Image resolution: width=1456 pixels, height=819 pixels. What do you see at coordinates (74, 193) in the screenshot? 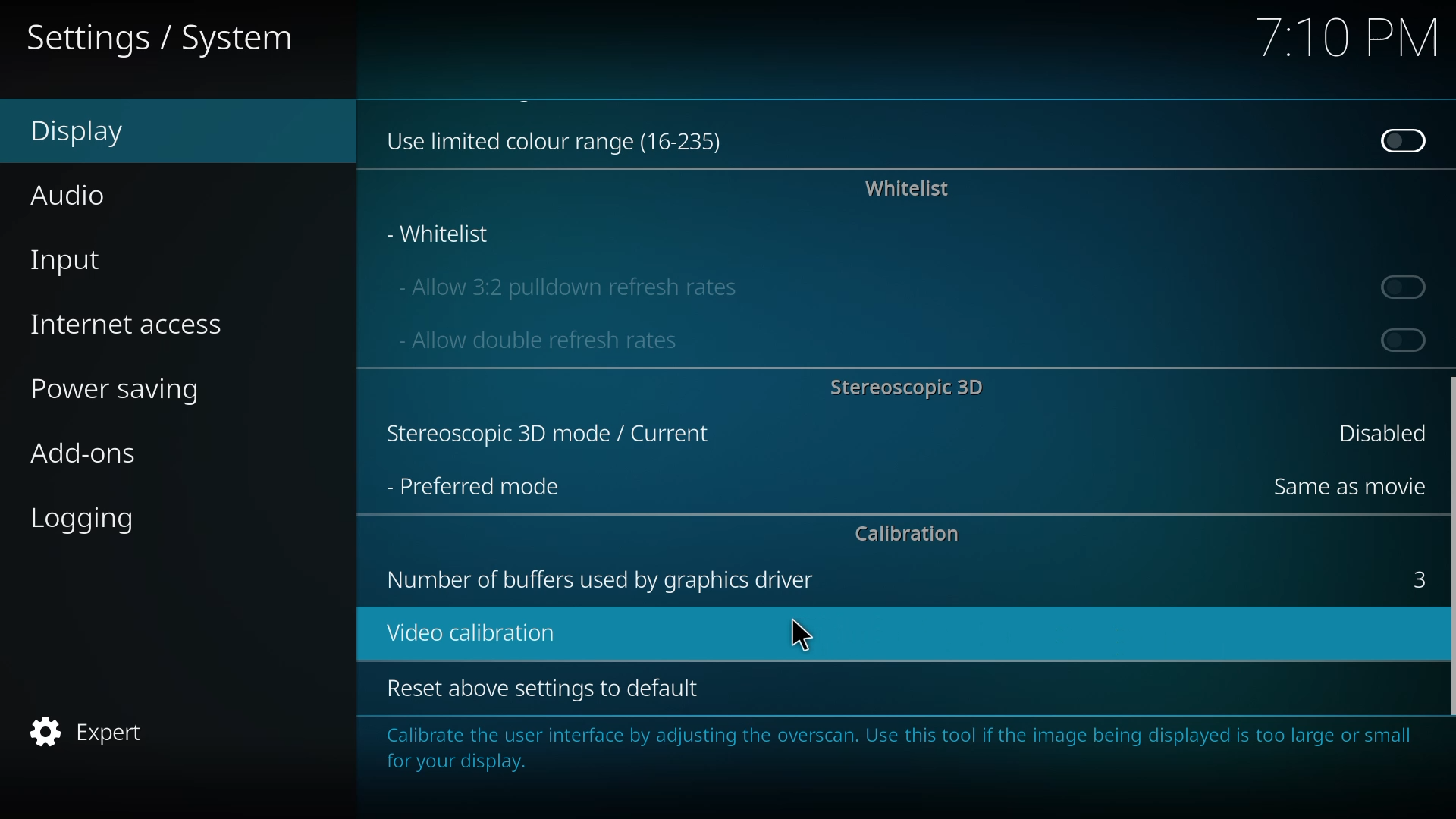
I see `audio` at bounding box center [74, 193].